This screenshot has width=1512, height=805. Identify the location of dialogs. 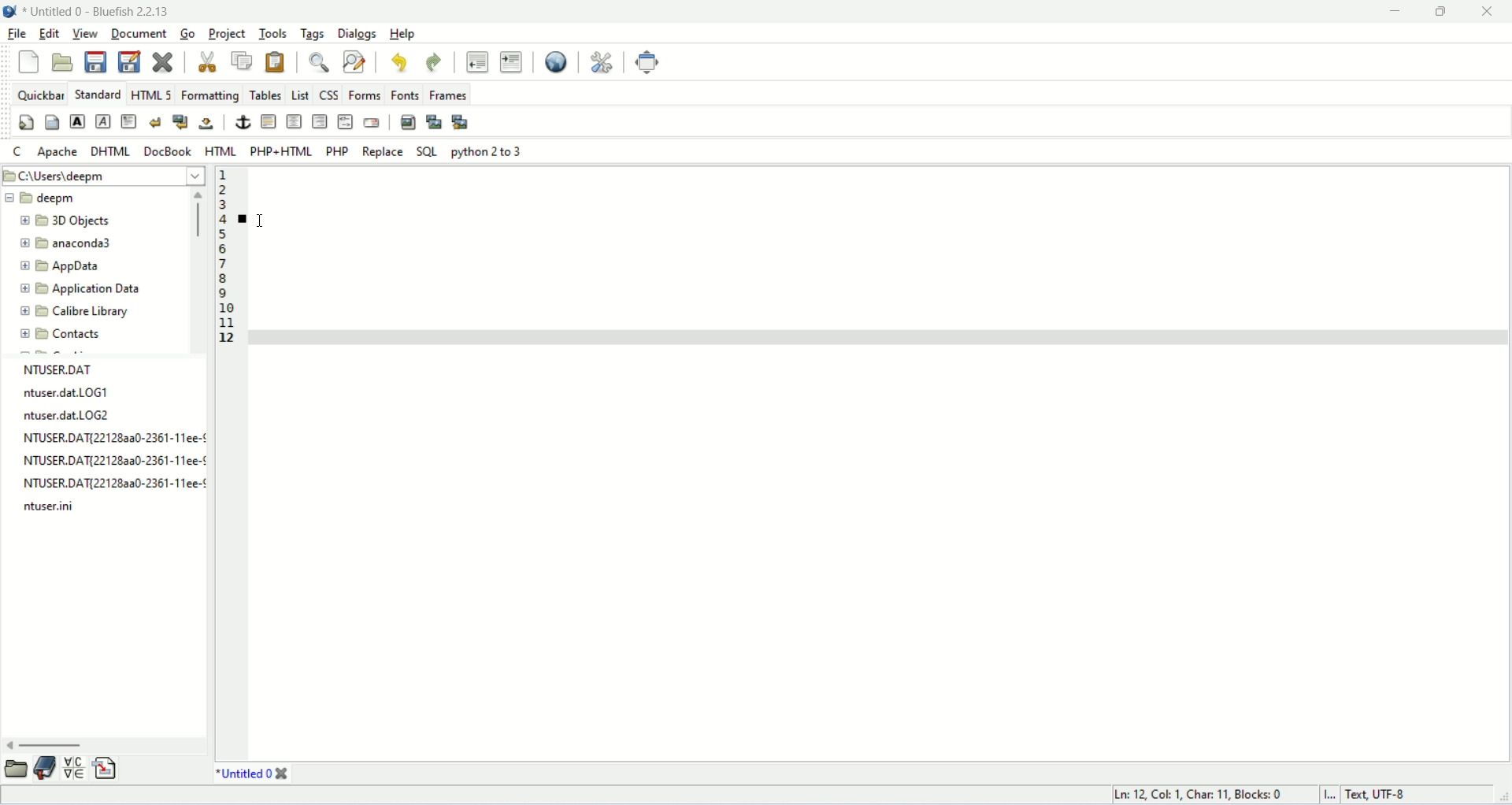
(358, 35).